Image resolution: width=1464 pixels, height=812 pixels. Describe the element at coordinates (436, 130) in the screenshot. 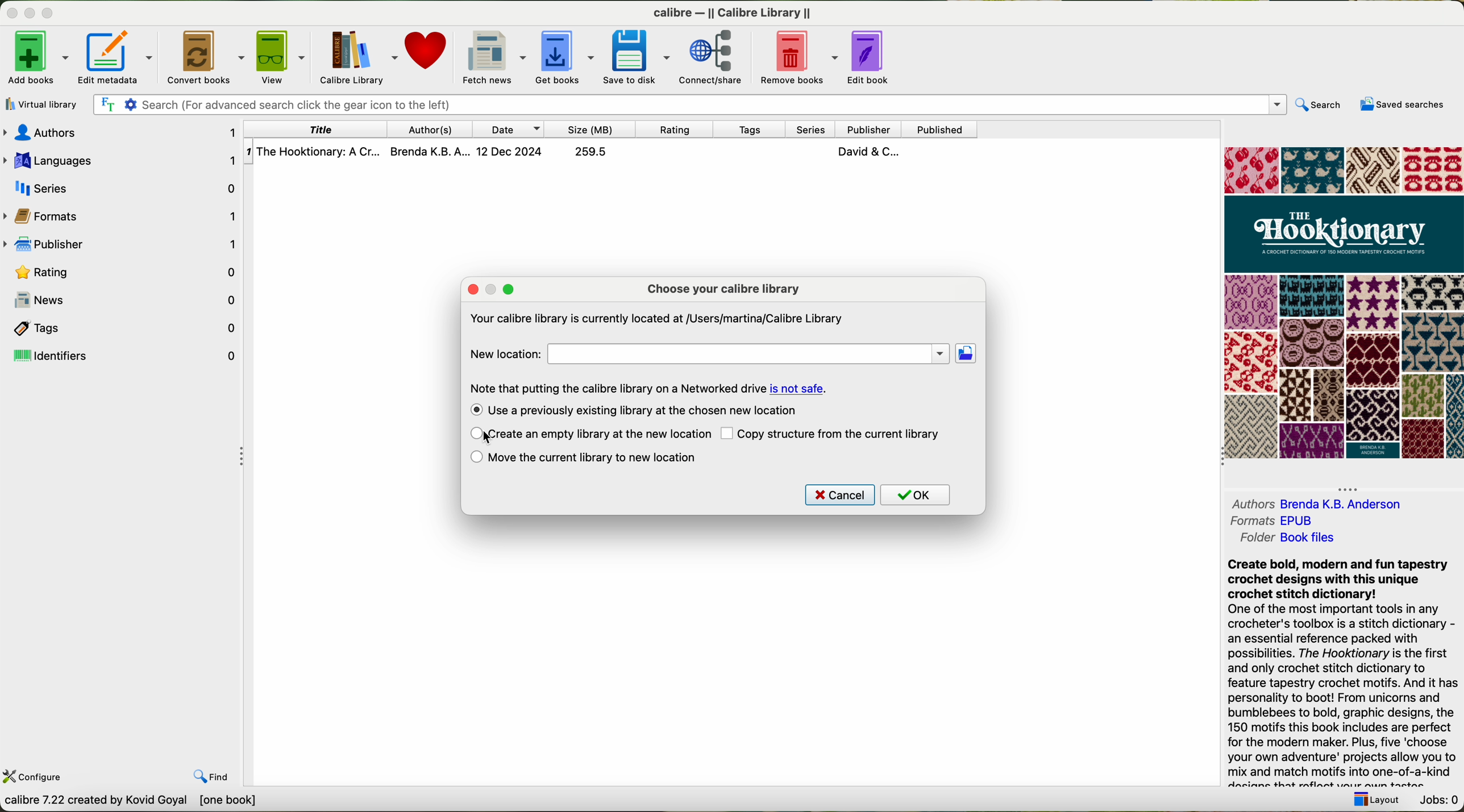

I see `authors` at that location.